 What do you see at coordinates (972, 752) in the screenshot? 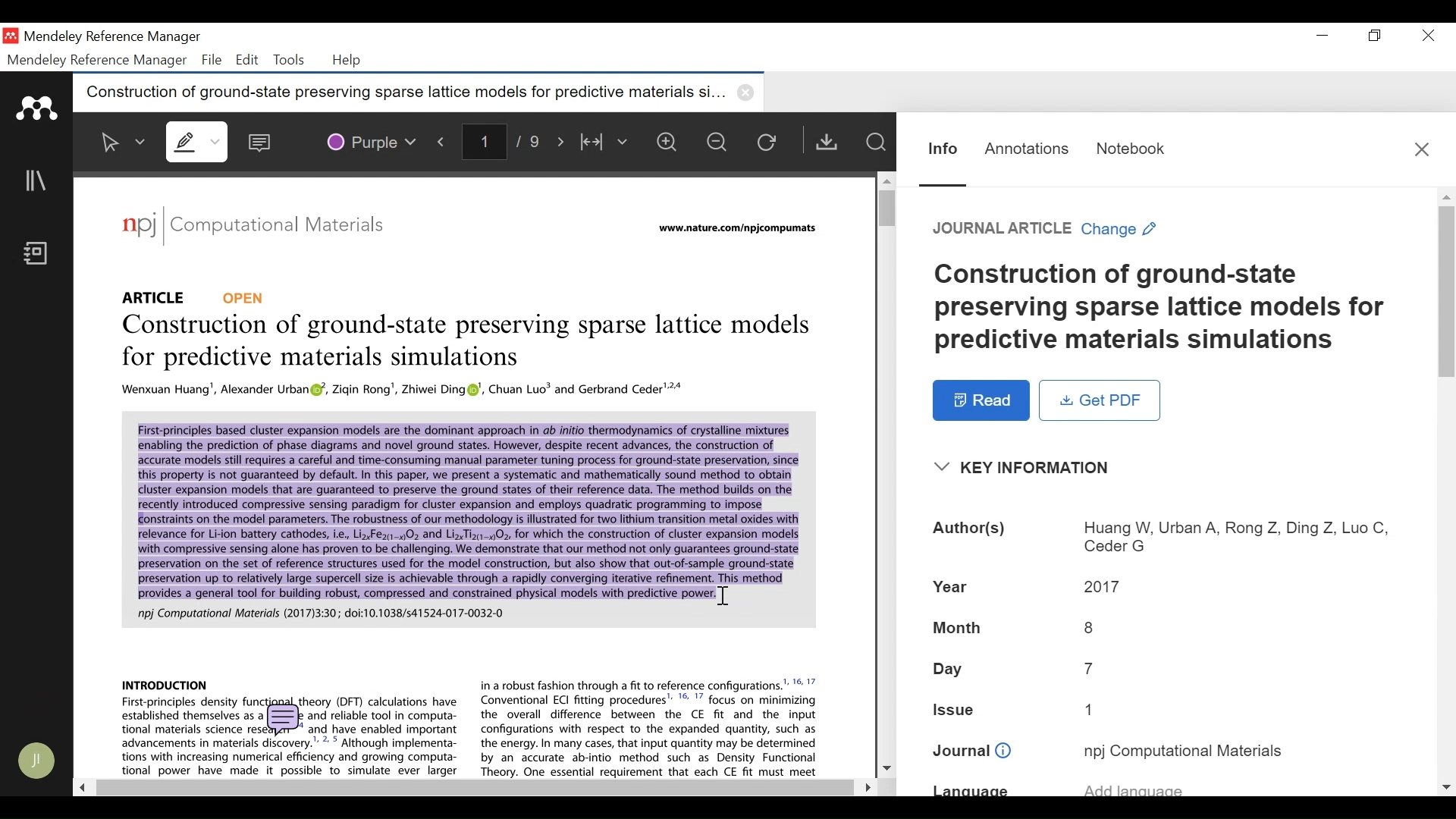
I see `Journal` at bounding box center [972, 752].